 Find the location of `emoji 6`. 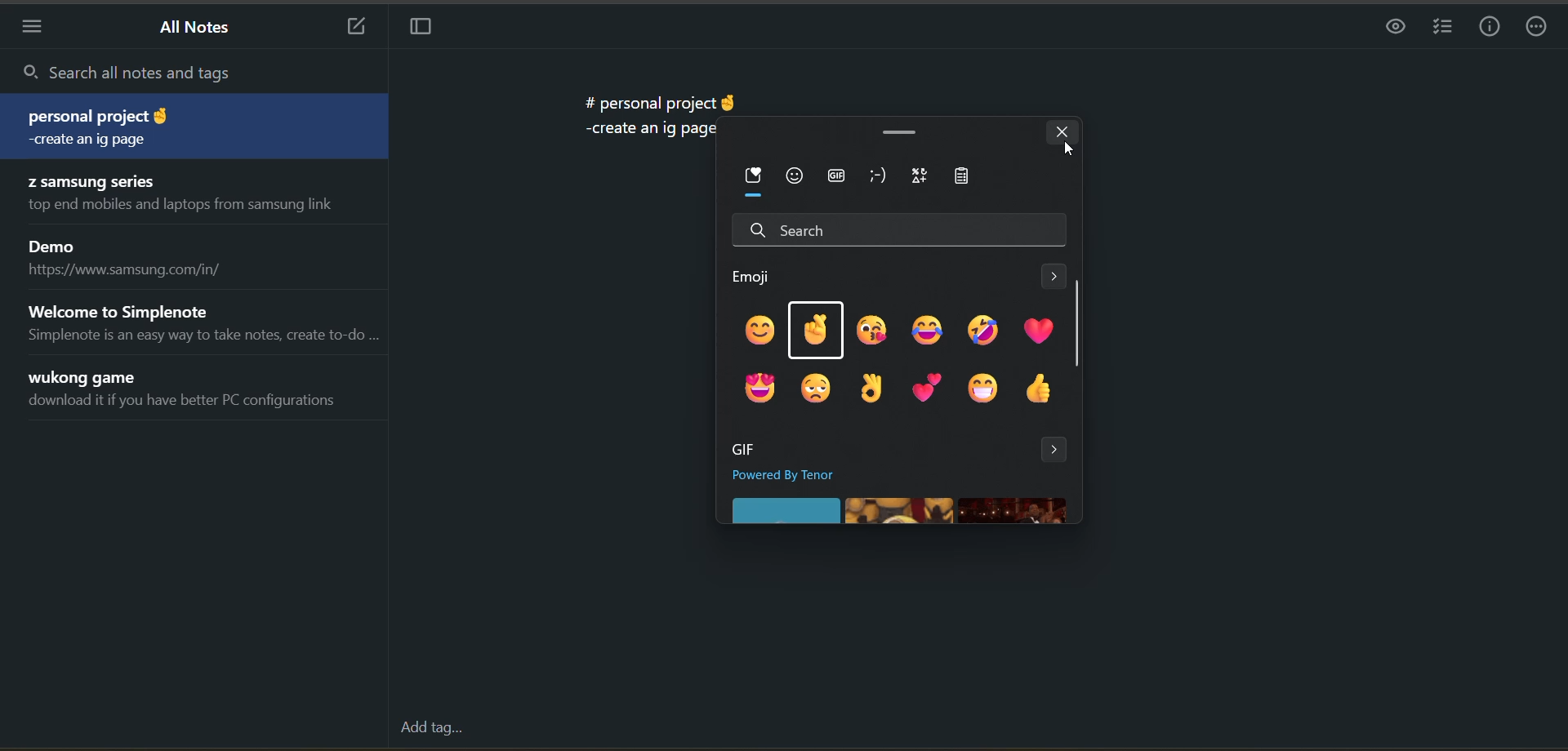

emoji 6 is located at coordinates (1037, 329).